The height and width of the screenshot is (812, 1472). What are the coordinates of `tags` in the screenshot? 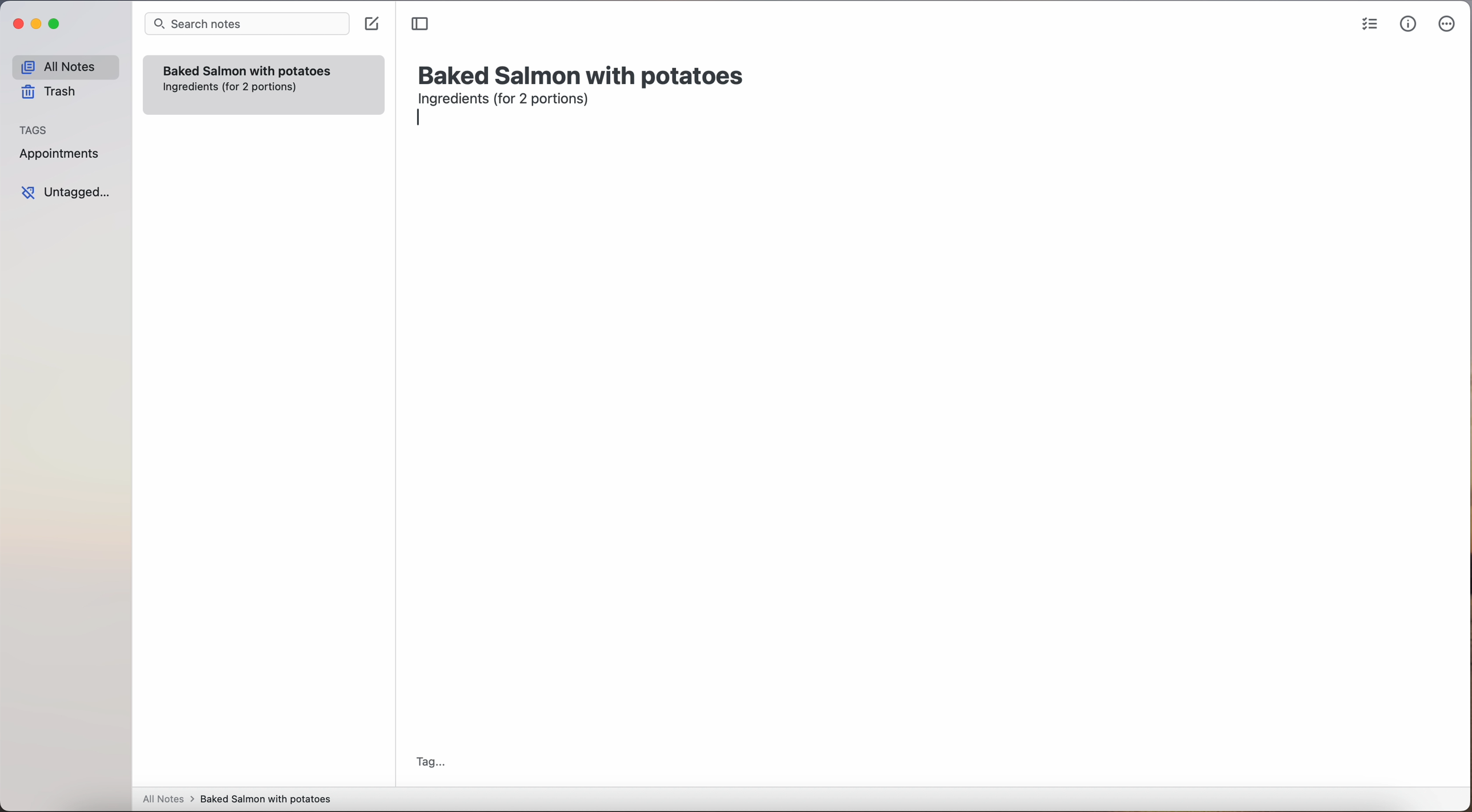 It's located at (34, 129).